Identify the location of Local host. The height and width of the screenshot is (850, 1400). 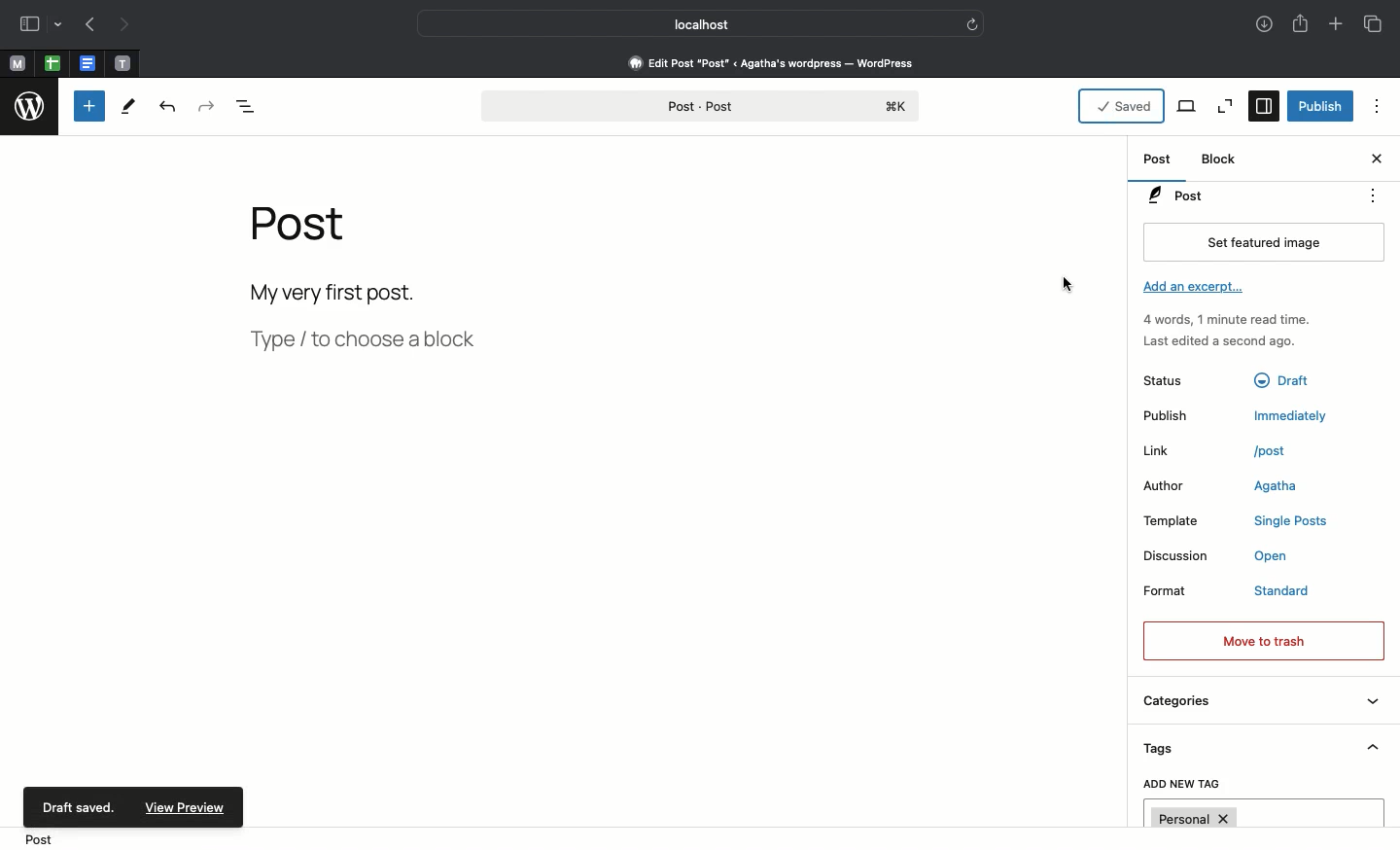
(687, 23).